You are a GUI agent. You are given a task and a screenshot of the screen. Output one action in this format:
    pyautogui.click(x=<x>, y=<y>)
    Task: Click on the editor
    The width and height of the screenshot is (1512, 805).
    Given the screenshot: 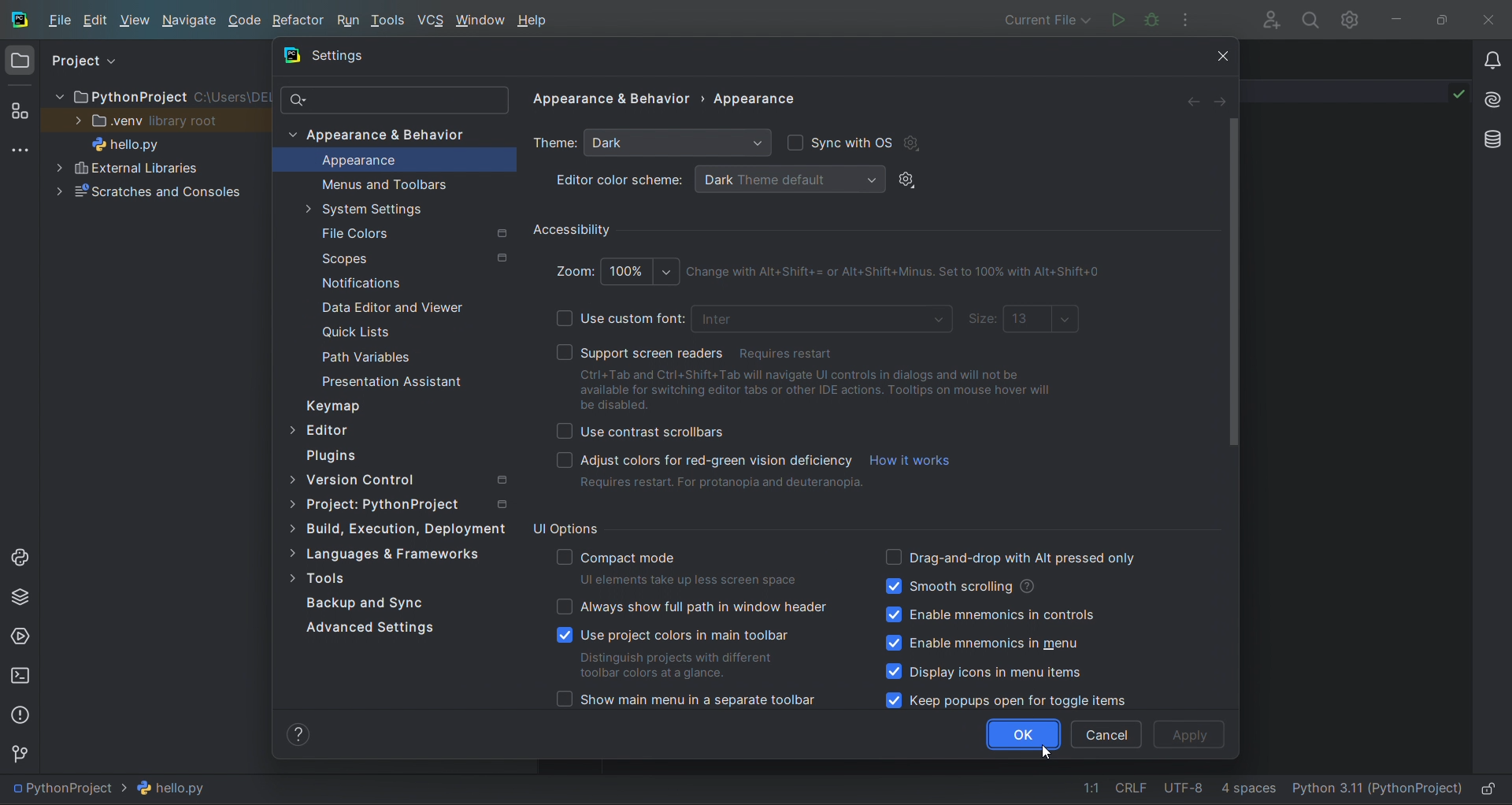 What is the action you would take?
    pyautogui.click(x=395, y=432)
    